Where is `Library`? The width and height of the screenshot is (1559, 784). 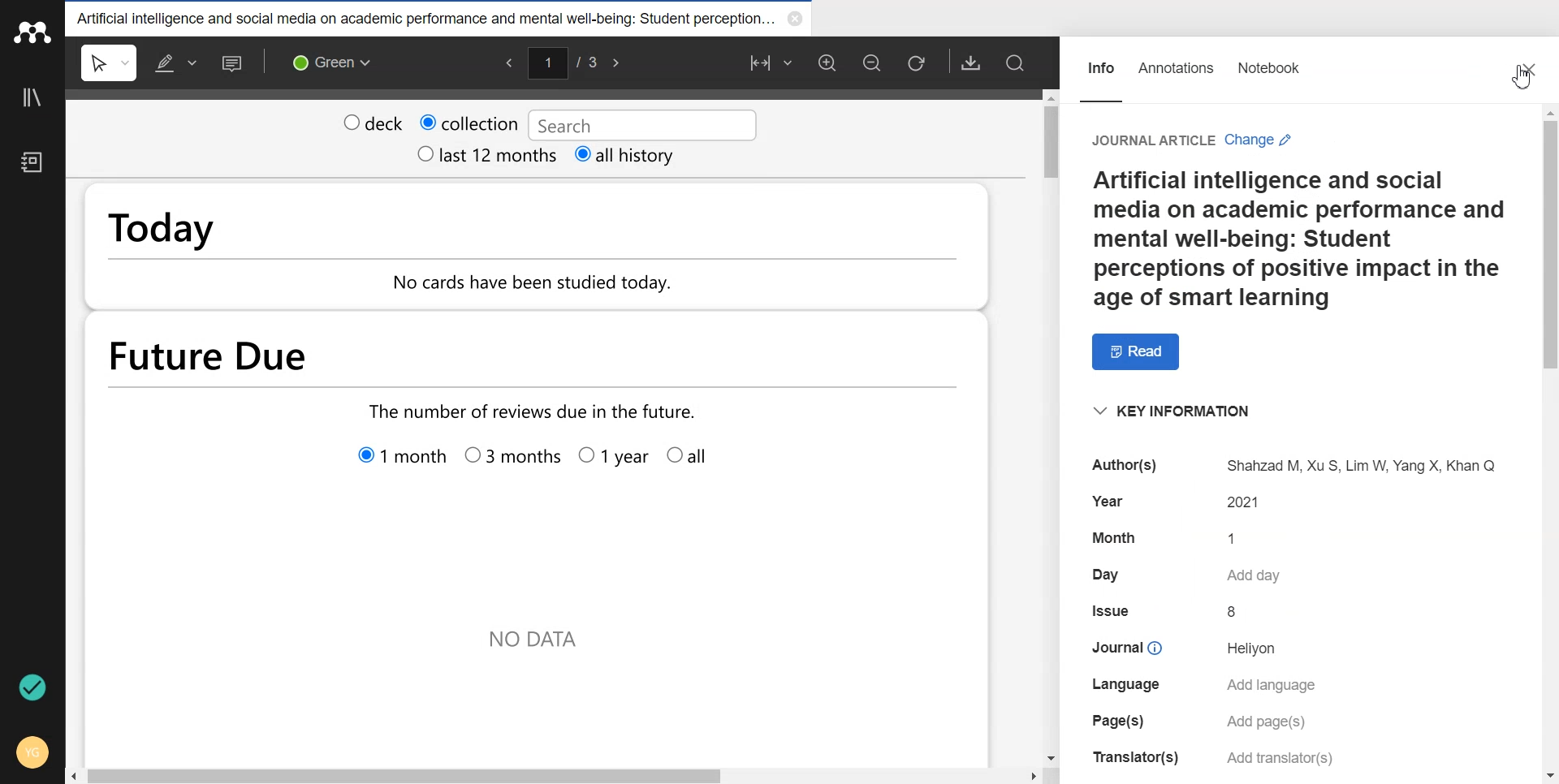 Library is located at coordinates (33, 97).